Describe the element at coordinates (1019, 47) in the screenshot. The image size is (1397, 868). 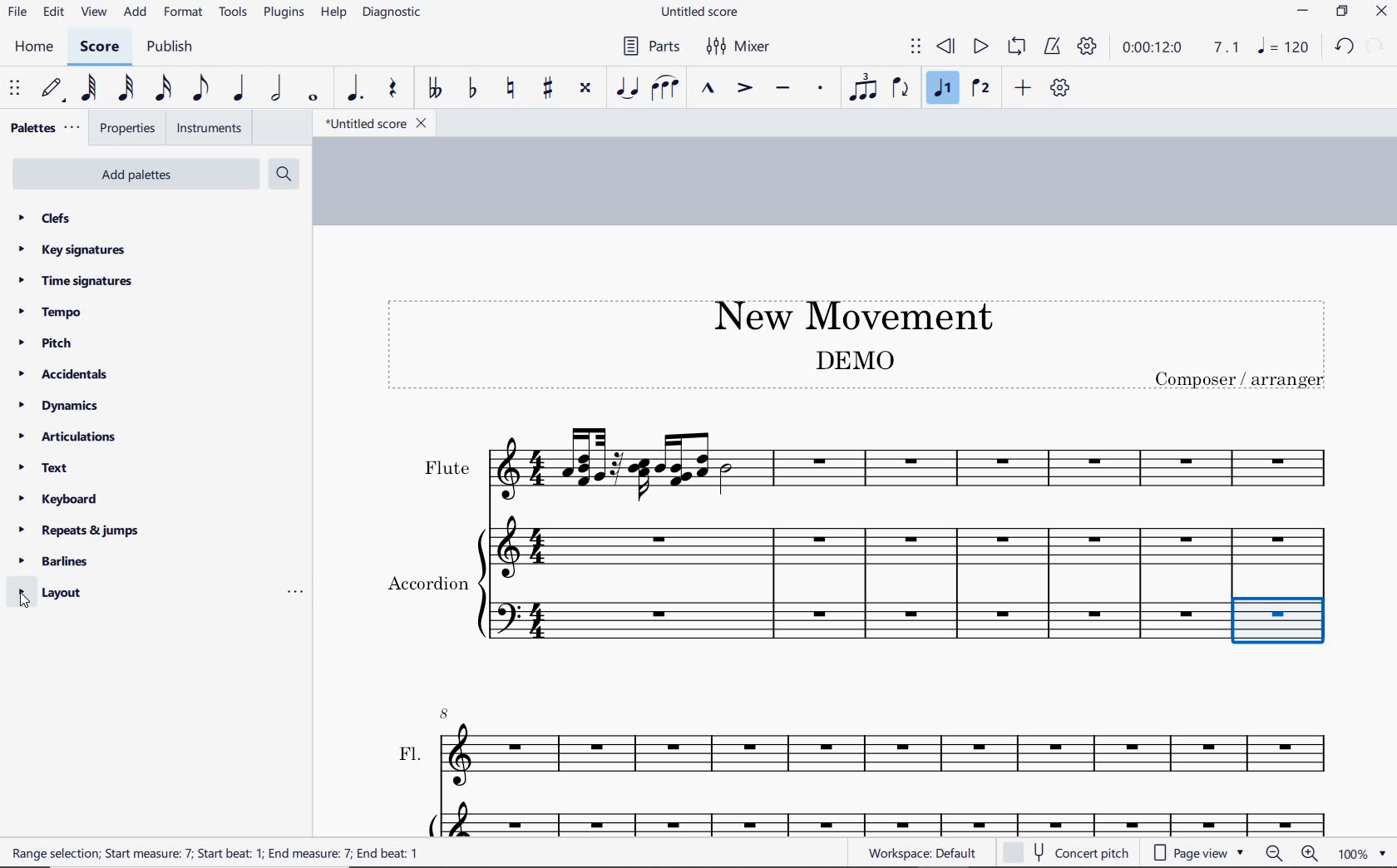
I see `loop playback` at that location.